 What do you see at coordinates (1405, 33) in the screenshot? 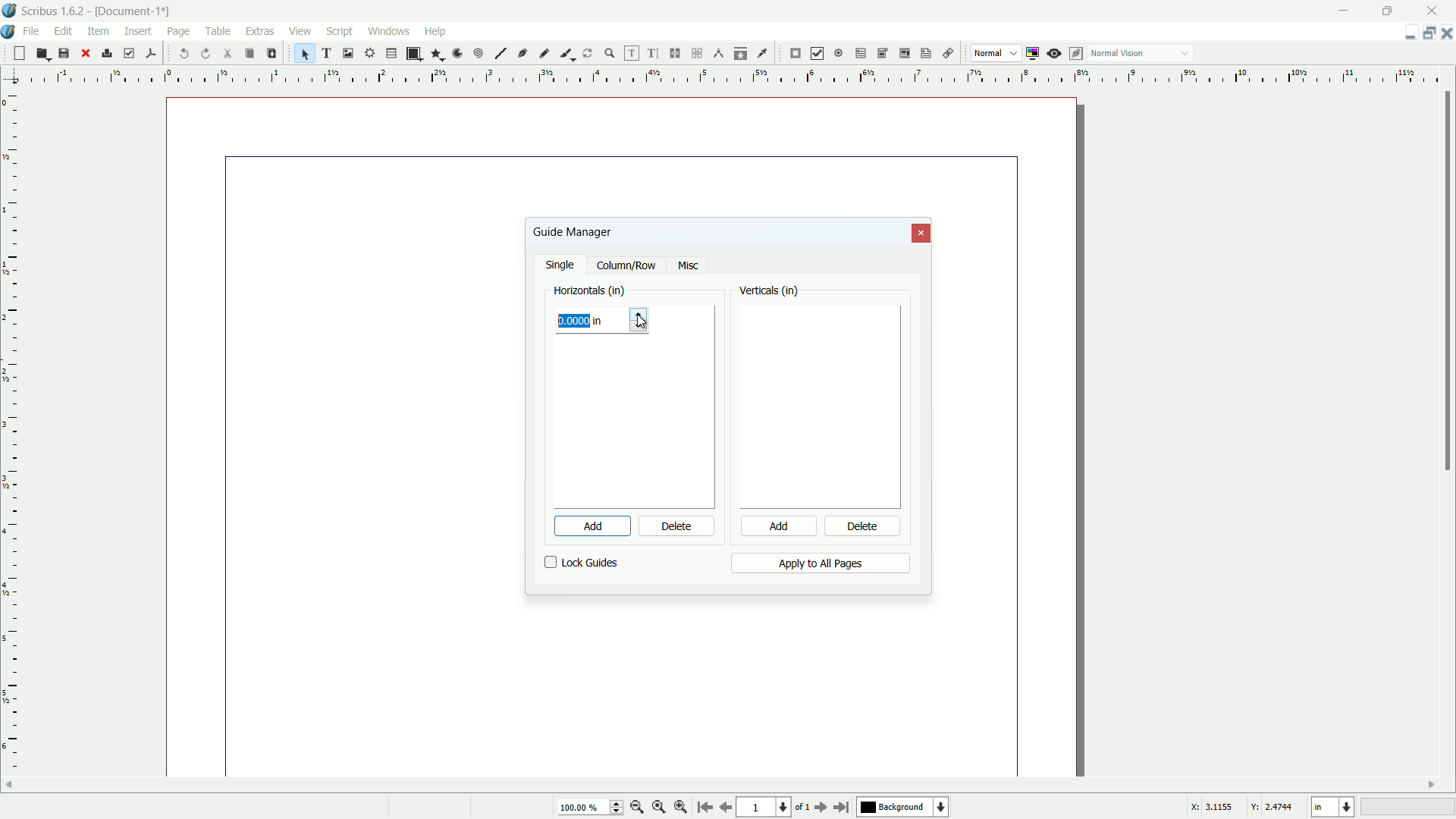
I see `guide manager` at bounding box center [1405, 33].